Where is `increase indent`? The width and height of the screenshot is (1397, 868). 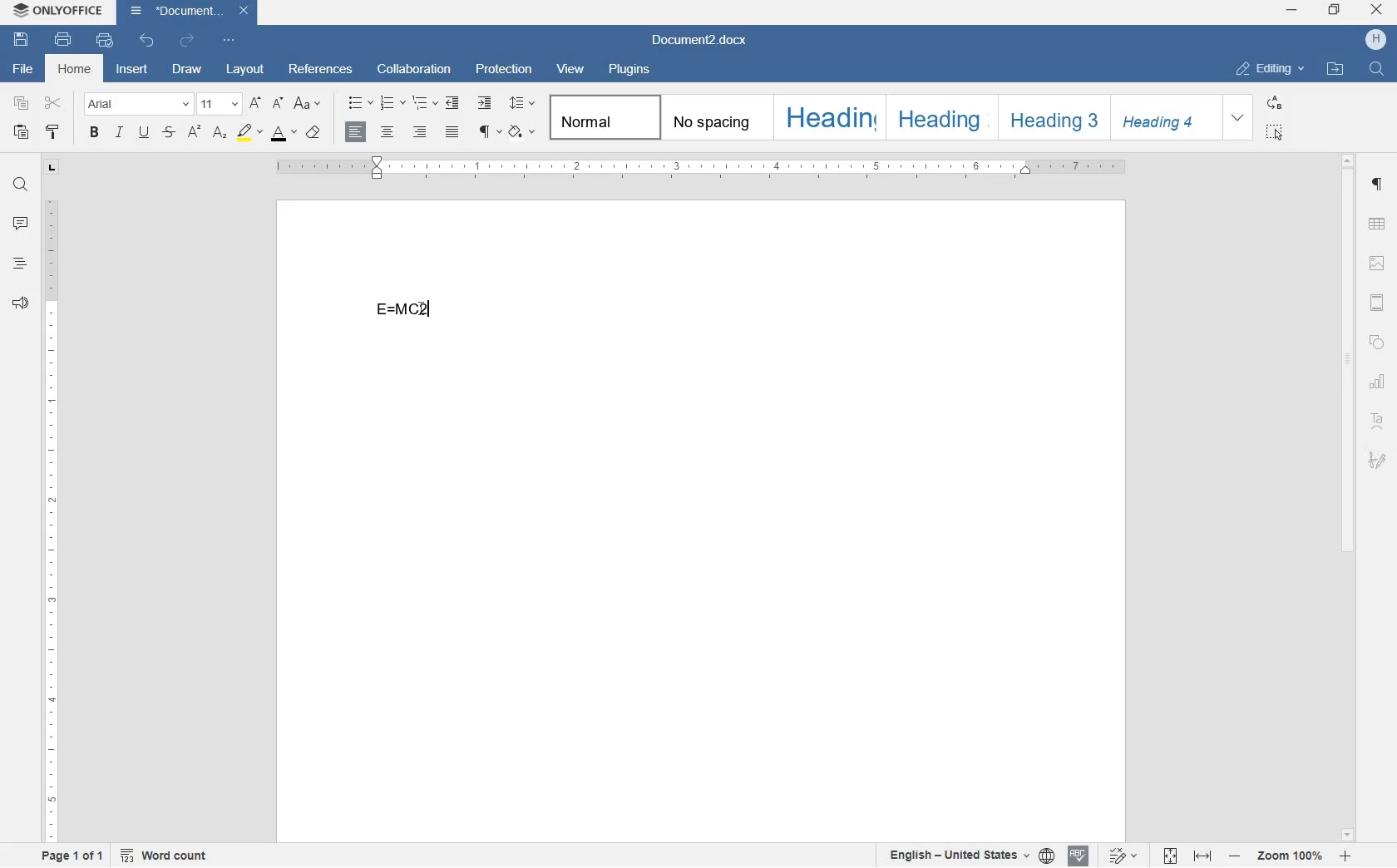
increase indent is located at coordinates (484, 102).